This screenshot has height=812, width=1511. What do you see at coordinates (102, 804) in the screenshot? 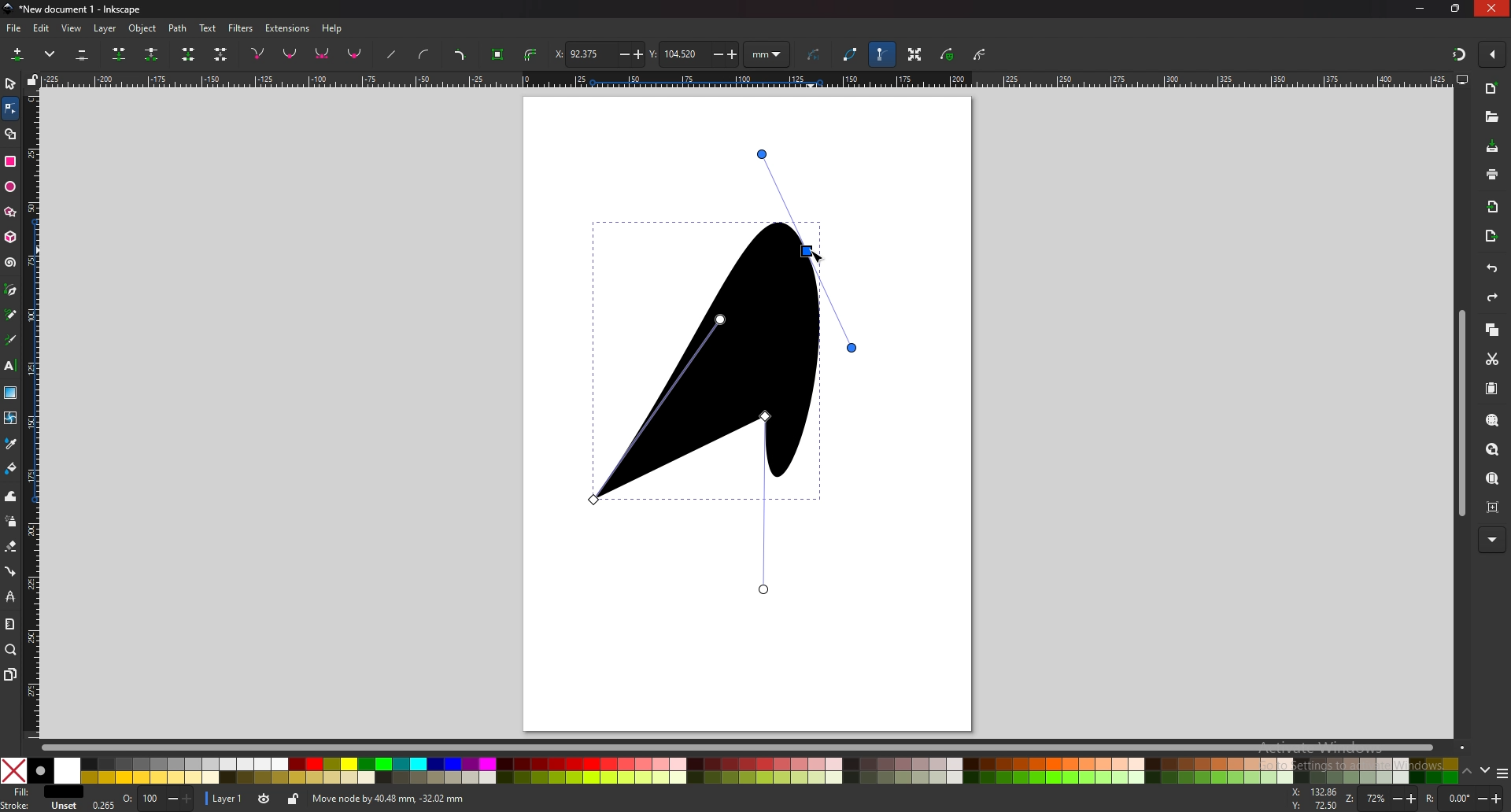
I see `0.265` at bounding box center [102, 804].